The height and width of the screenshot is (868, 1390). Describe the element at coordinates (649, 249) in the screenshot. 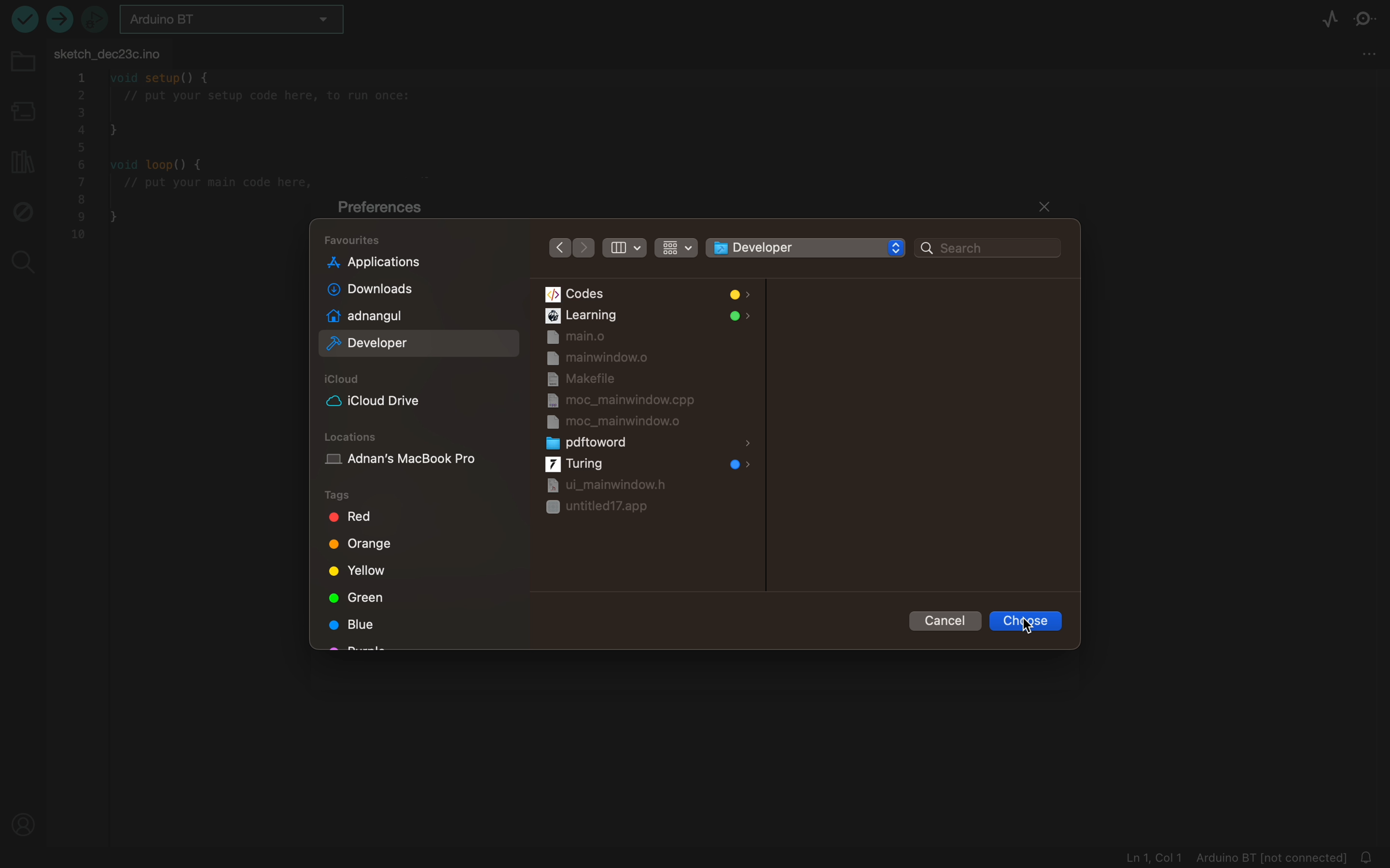

I see `filters` at that location.